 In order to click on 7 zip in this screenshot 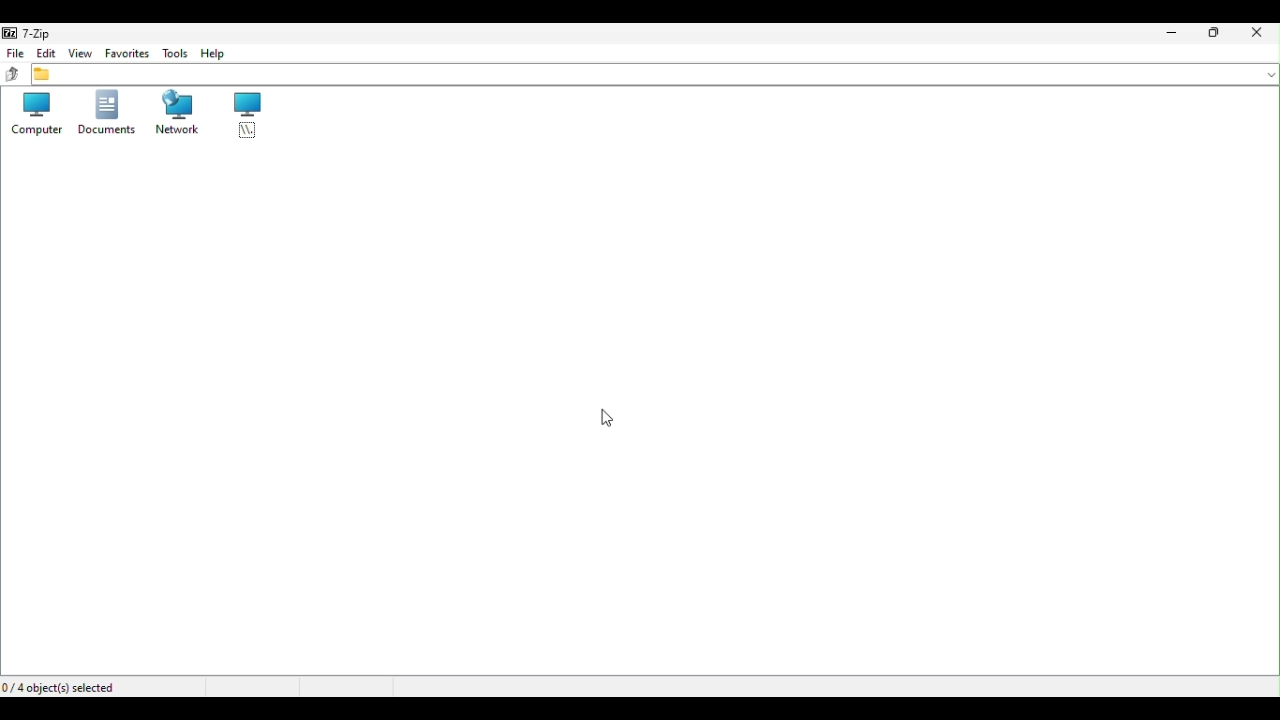, I will do `click(33, 33)`.